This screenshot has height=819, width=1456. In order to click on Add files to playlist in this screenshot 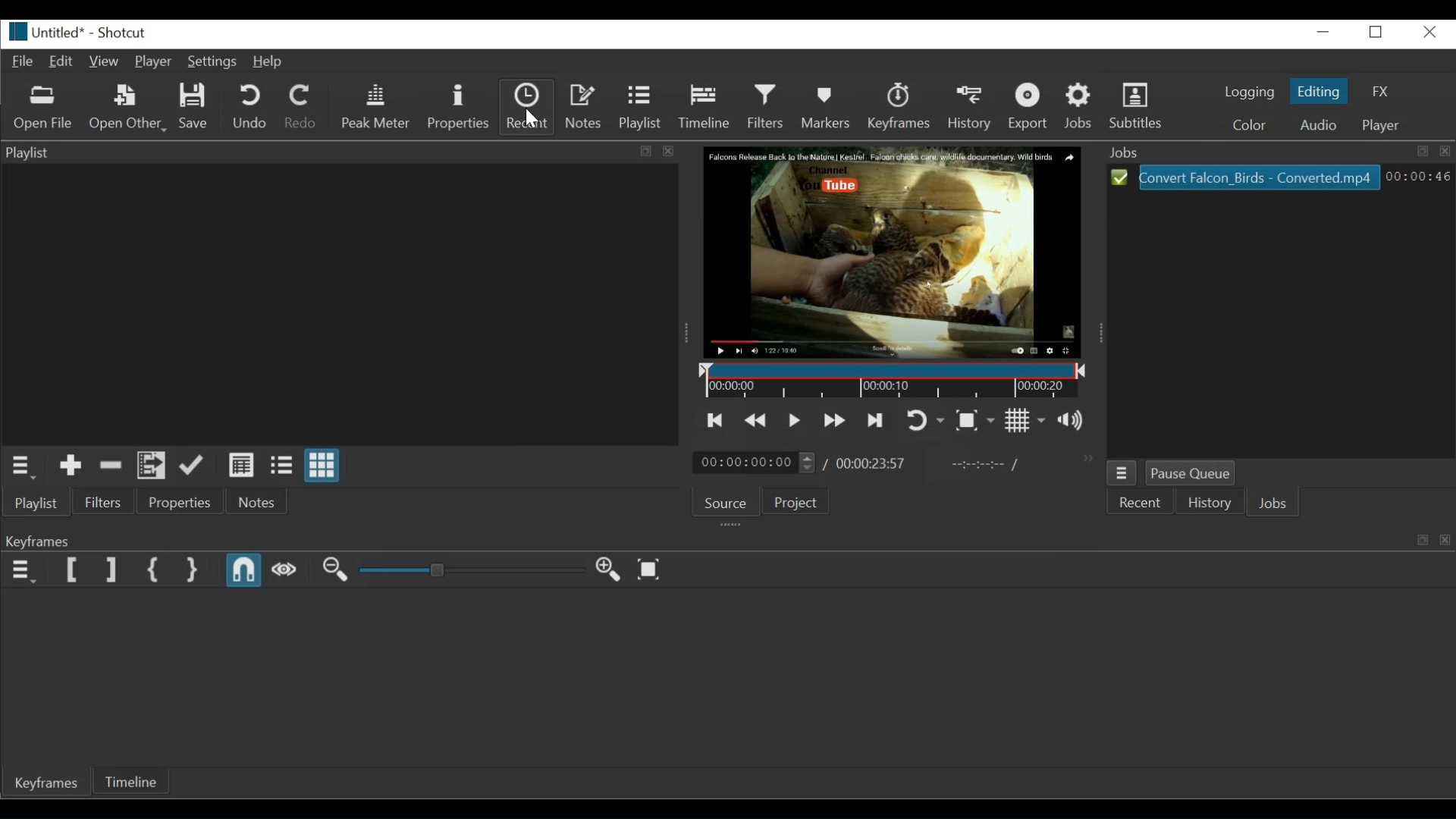, I will do `click(151, 466)`.